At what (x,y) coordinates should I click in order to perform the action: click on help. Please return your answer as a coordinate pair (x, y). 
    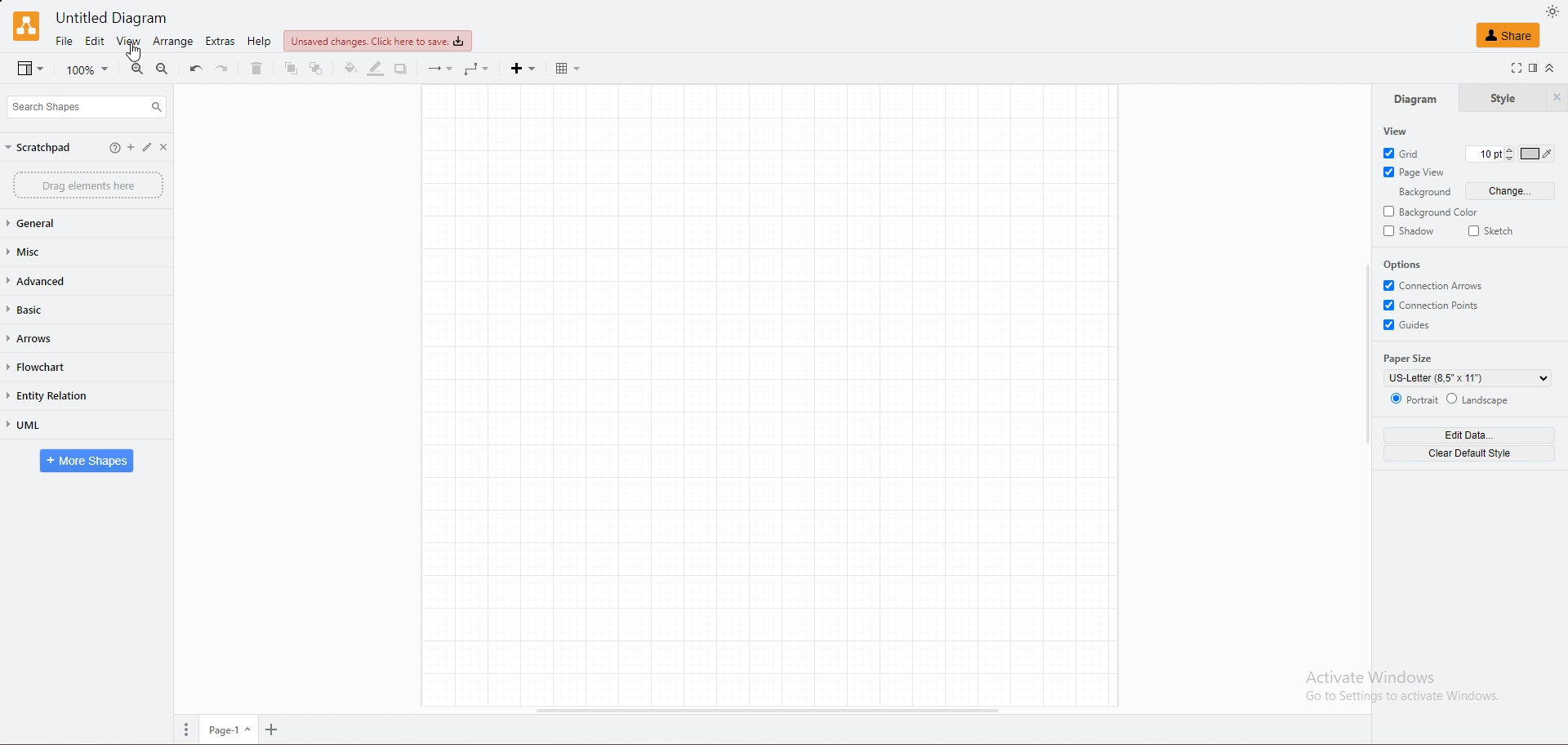
    Looking at the image, I should click on (262, 42).